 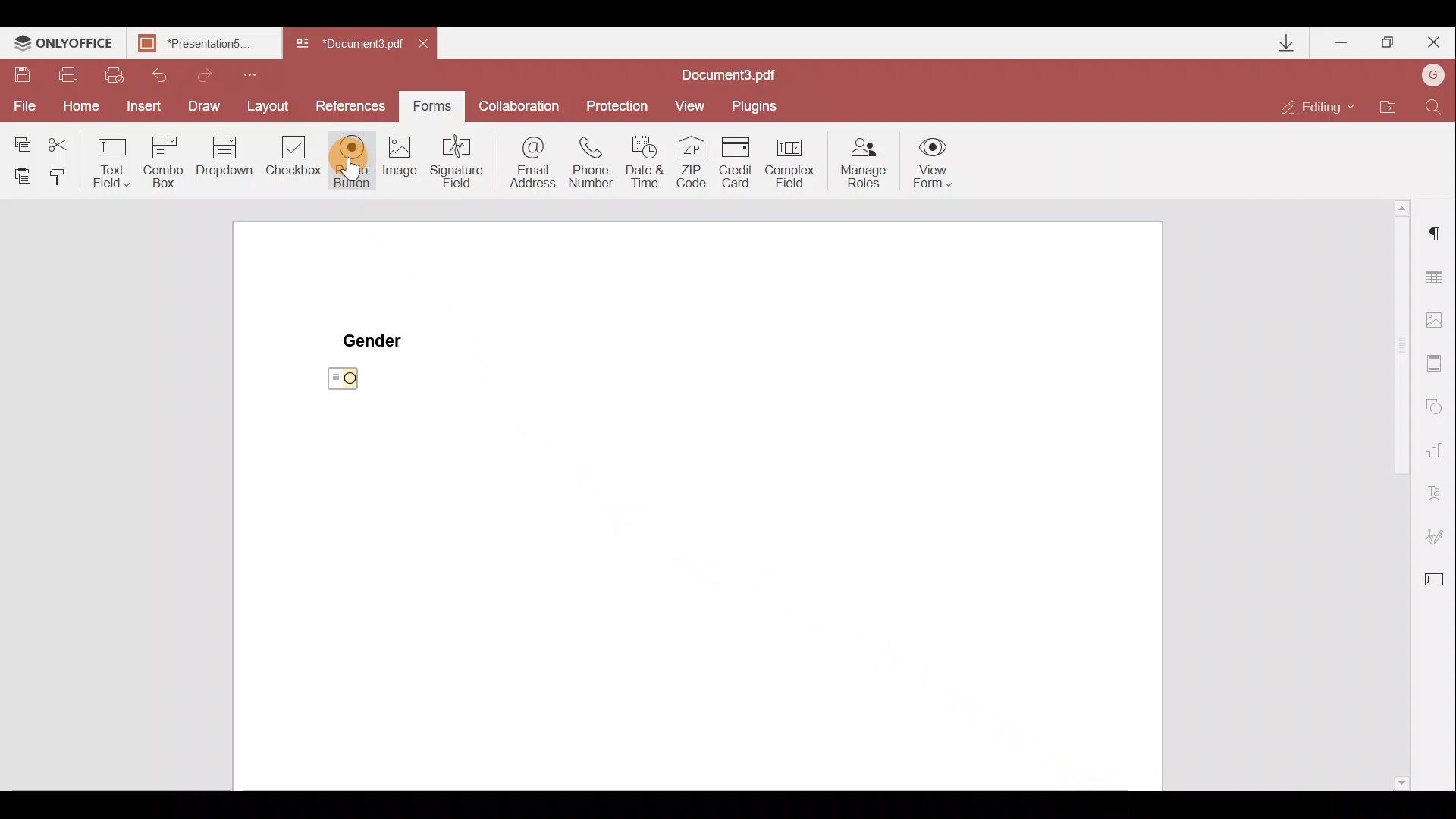 What do you see at coordinates (259, 73) in the screenshot?
I see `Customize quick access toolbar` at bounding box center [259, 73].